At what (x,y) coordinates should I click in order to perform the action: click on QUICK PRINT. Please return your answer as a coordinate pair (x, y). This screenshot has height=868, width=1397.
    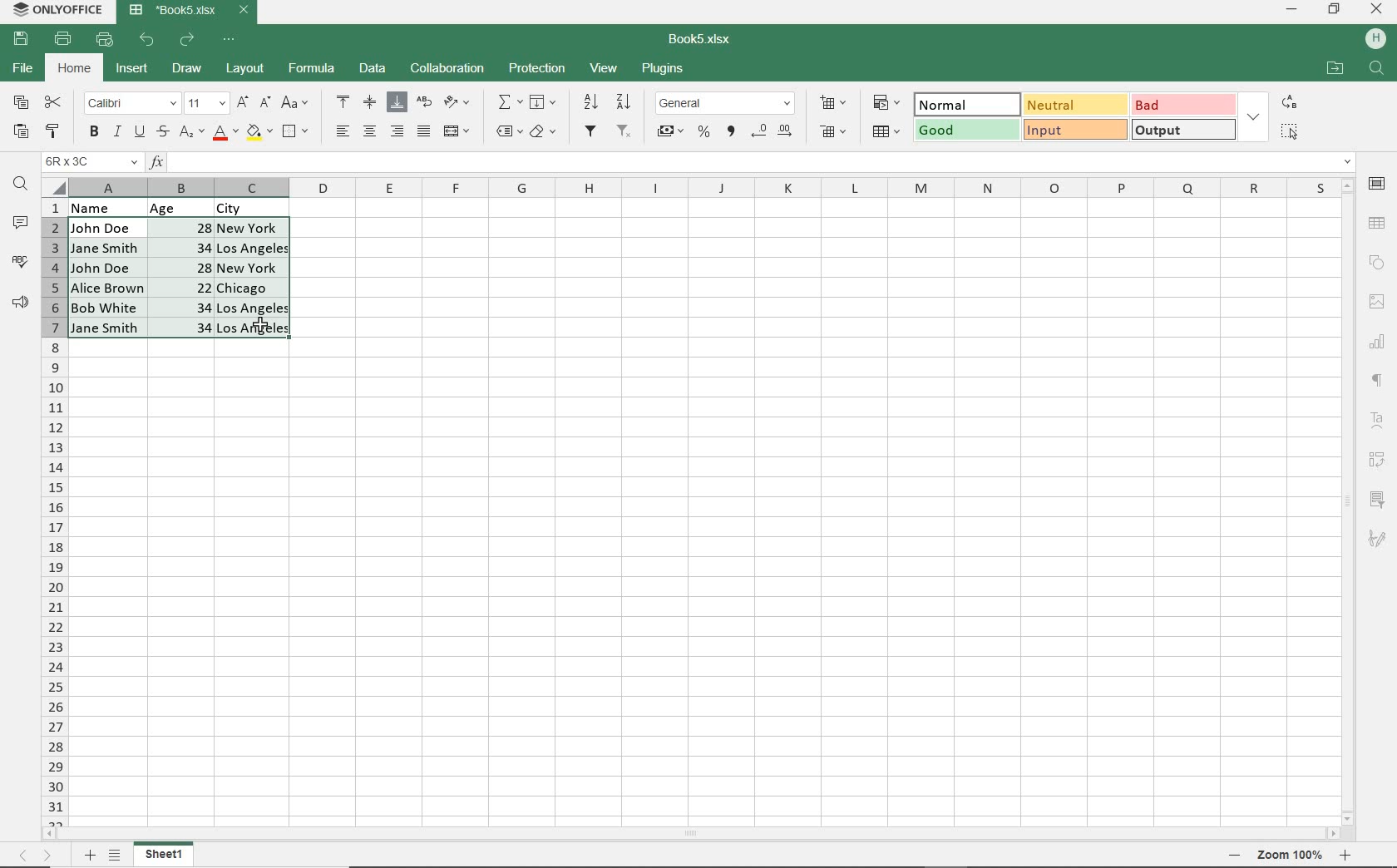
    Looking at the image, I should click on (105, 40).